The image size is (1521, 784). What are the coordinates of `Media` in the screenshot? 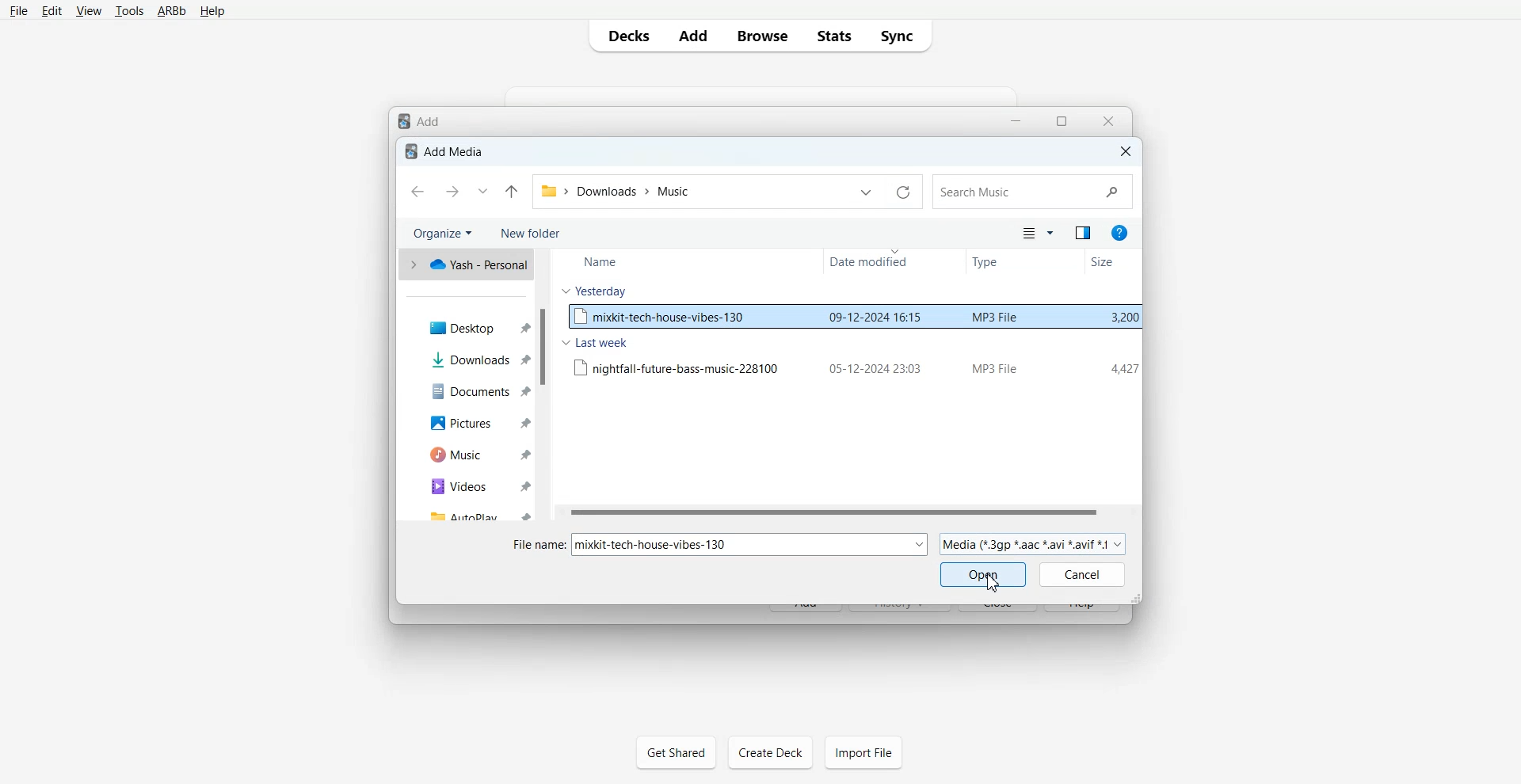 It's located at (1034, 544).